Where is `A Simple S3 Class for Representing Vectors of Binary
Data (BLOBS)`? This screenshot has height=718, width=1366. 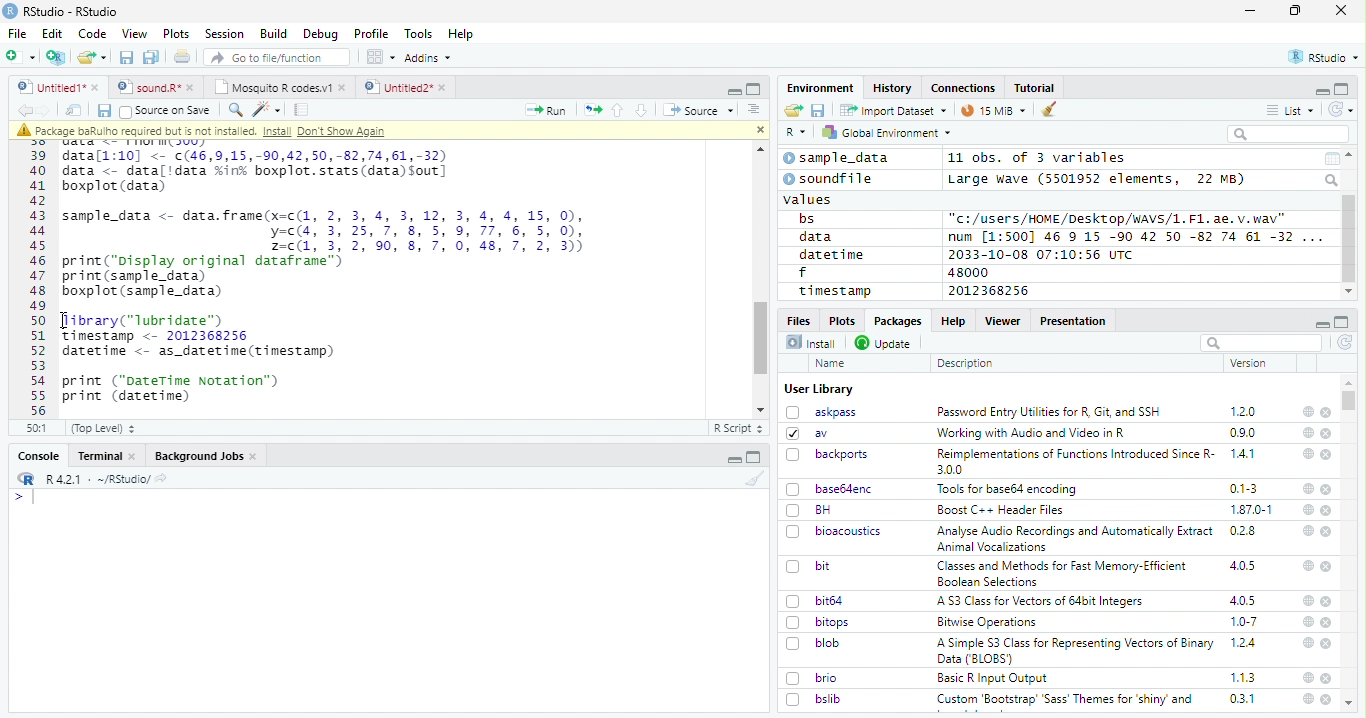 A Simple S3 Class for Representing Vectors of Binary
Data (BLOBS) is located at coordinates (1077, 650).